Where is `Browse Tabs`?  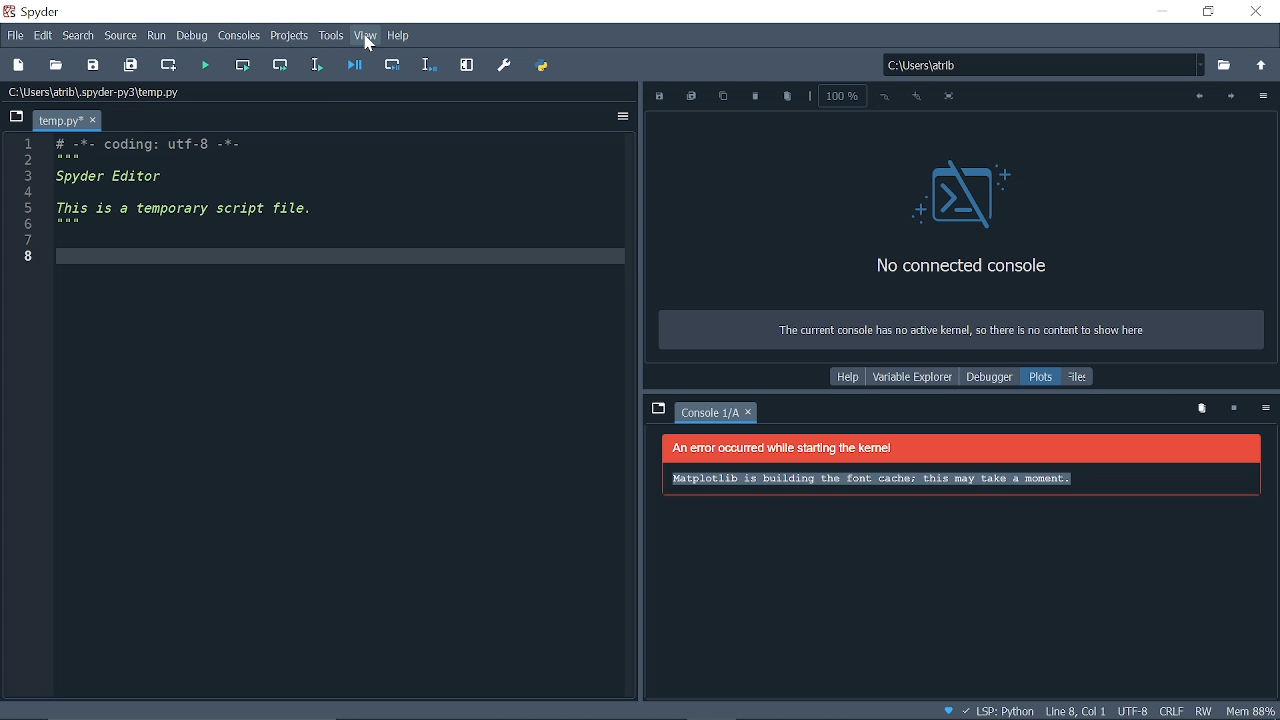 Browse Tabs is located at coordinates (14, 115).